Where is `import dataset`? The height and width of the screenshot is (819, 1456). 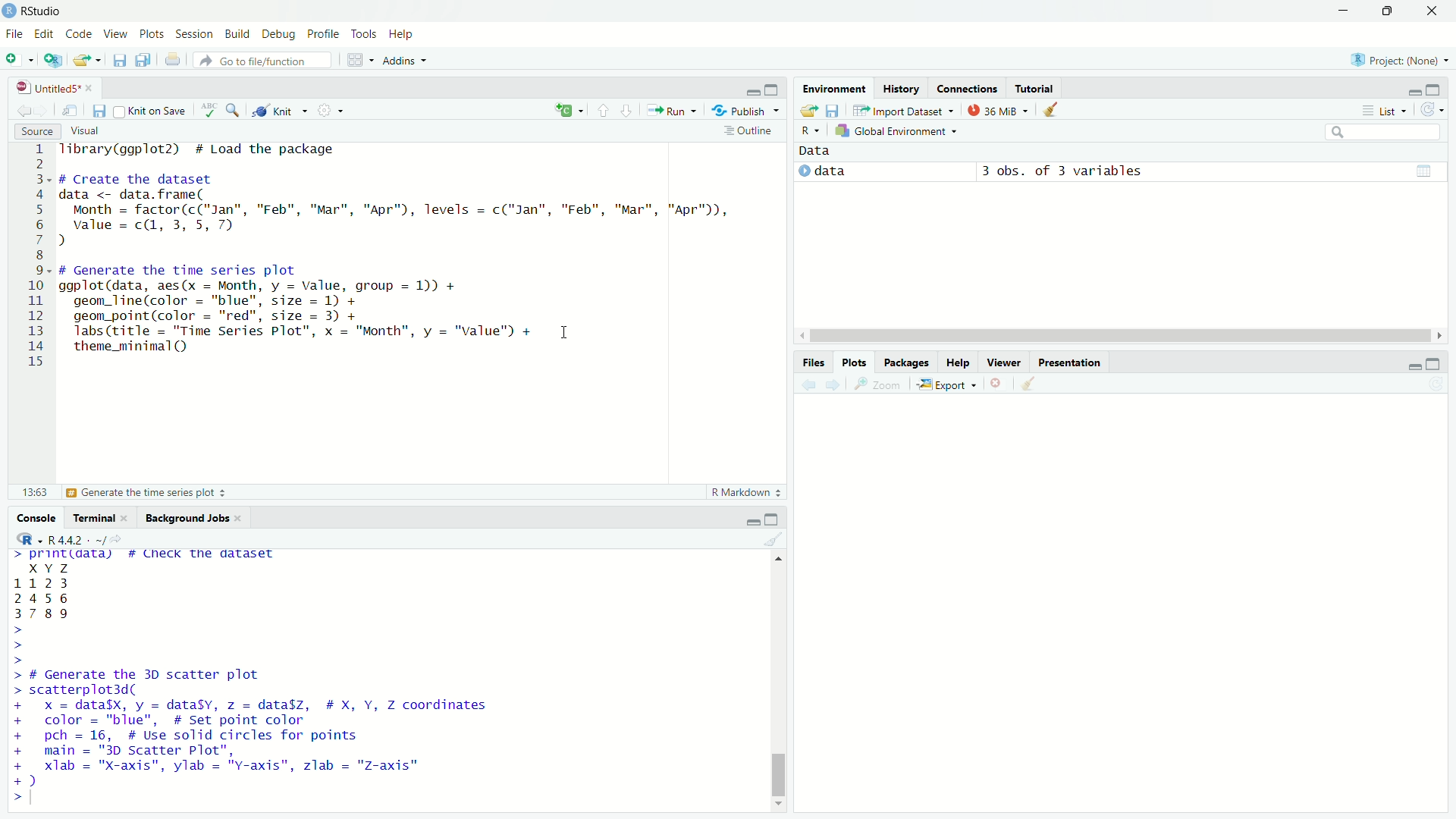 import dataset is located at coordinates (903, 111).